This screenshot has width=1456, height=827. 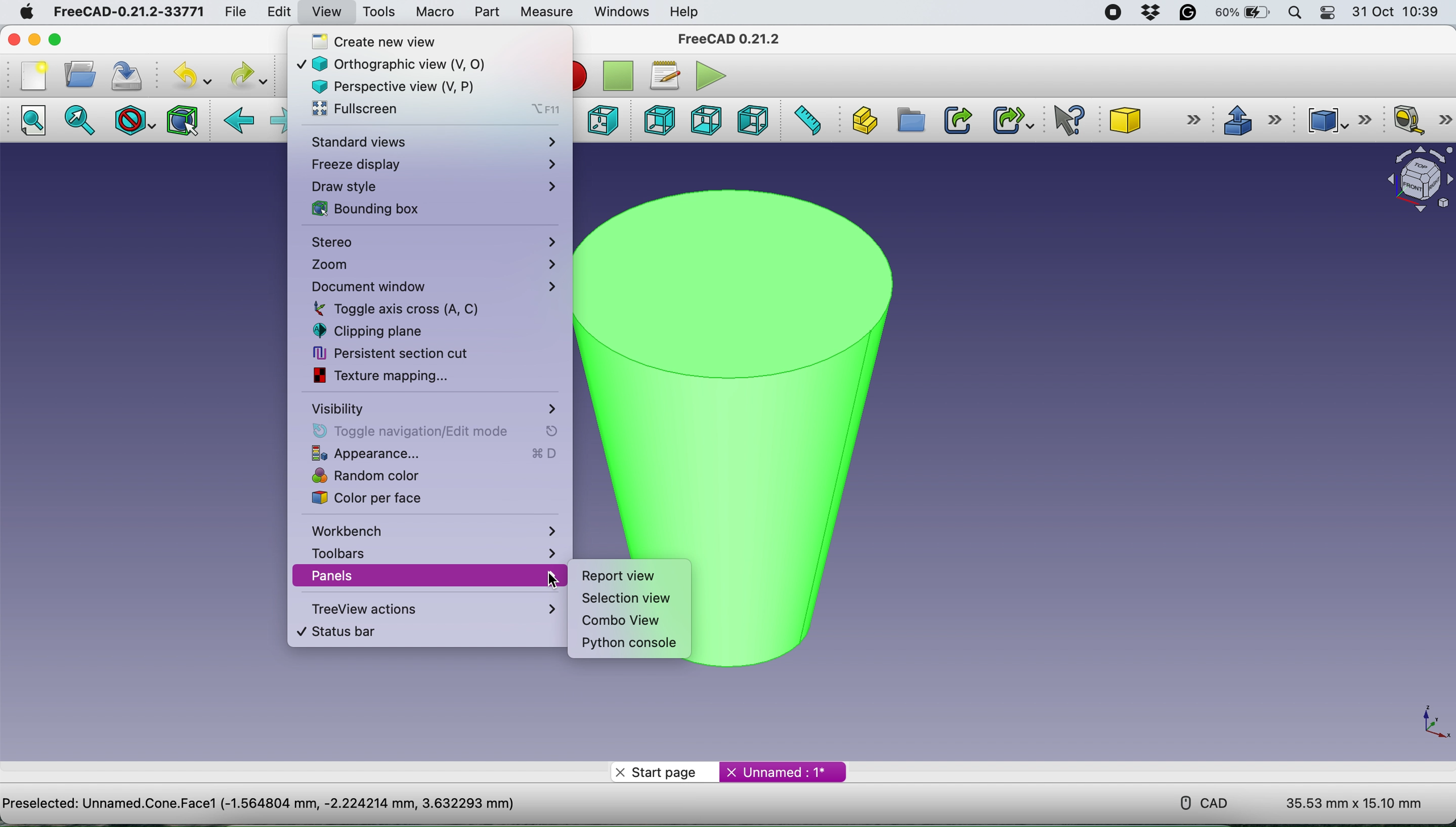 What do you see at coordinates (664, 73) in the screenshot?
I see `macros` at bounding box center [664, 73].